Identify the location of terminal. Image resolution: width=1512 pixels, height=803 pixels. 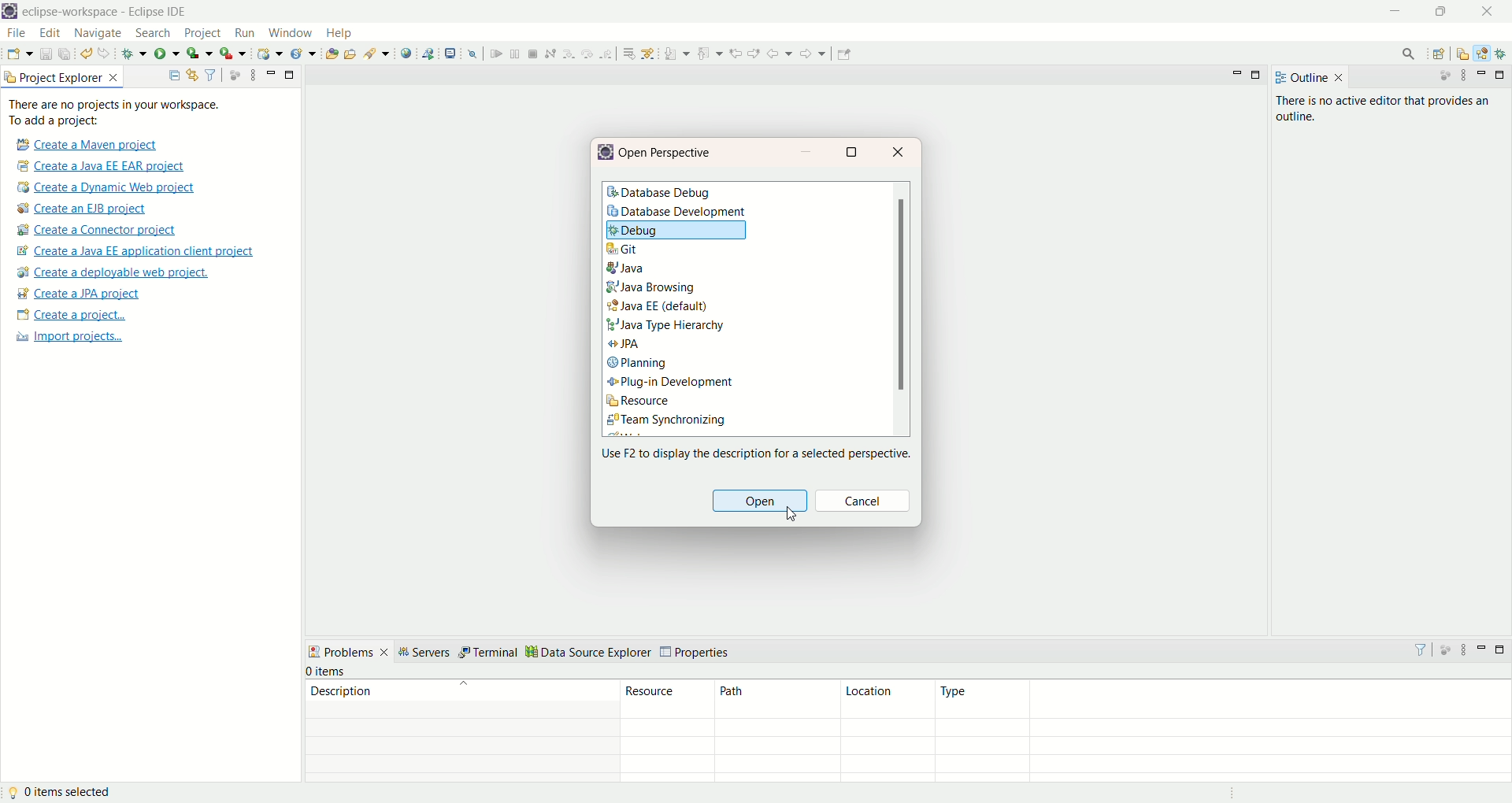
(488, 651).